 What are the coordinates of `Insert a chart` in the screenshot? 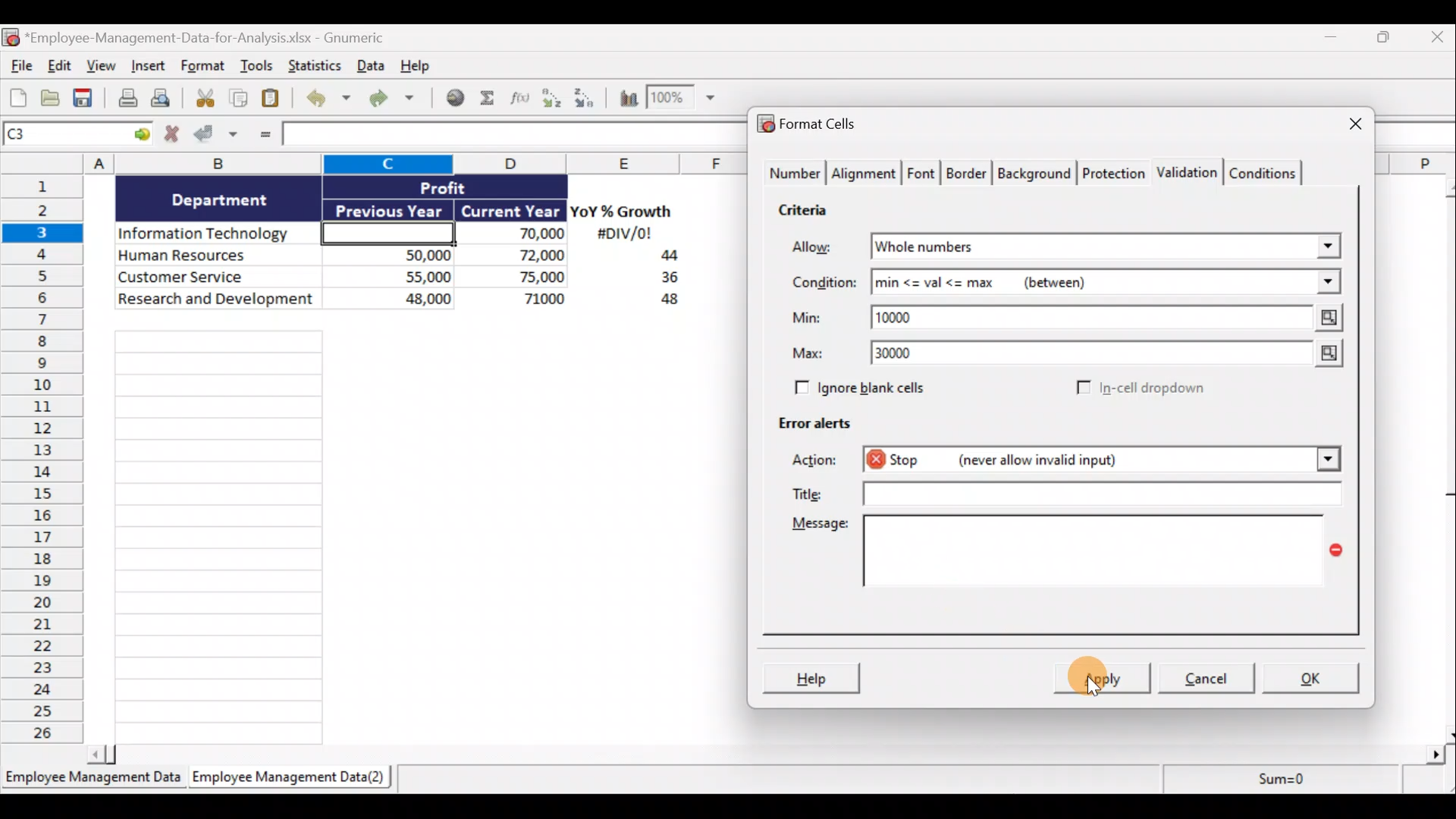 It's located at (622, 97).